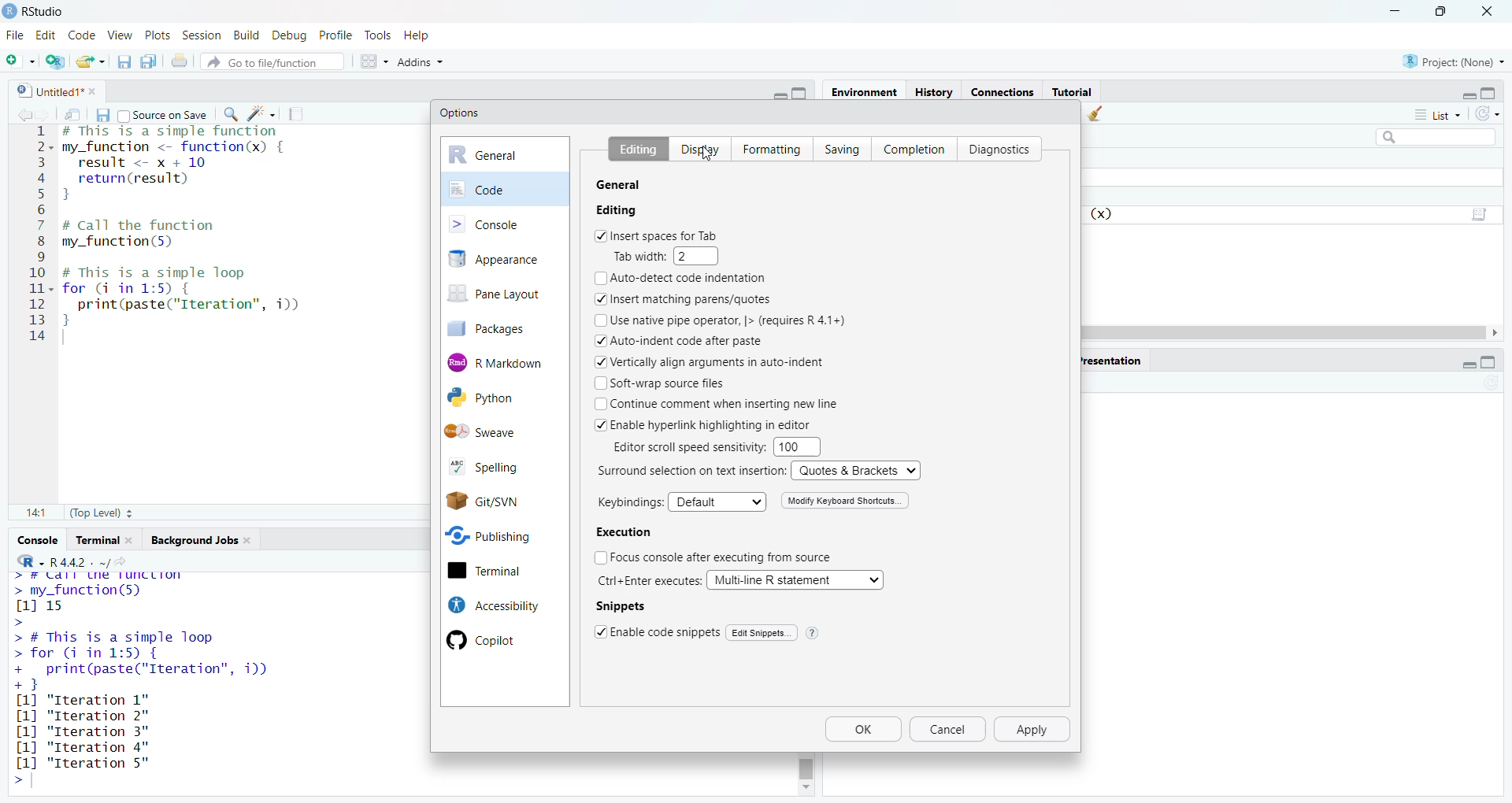 This screenshot has height=803, width=1512. I want to click on addins, so click(421, 61).